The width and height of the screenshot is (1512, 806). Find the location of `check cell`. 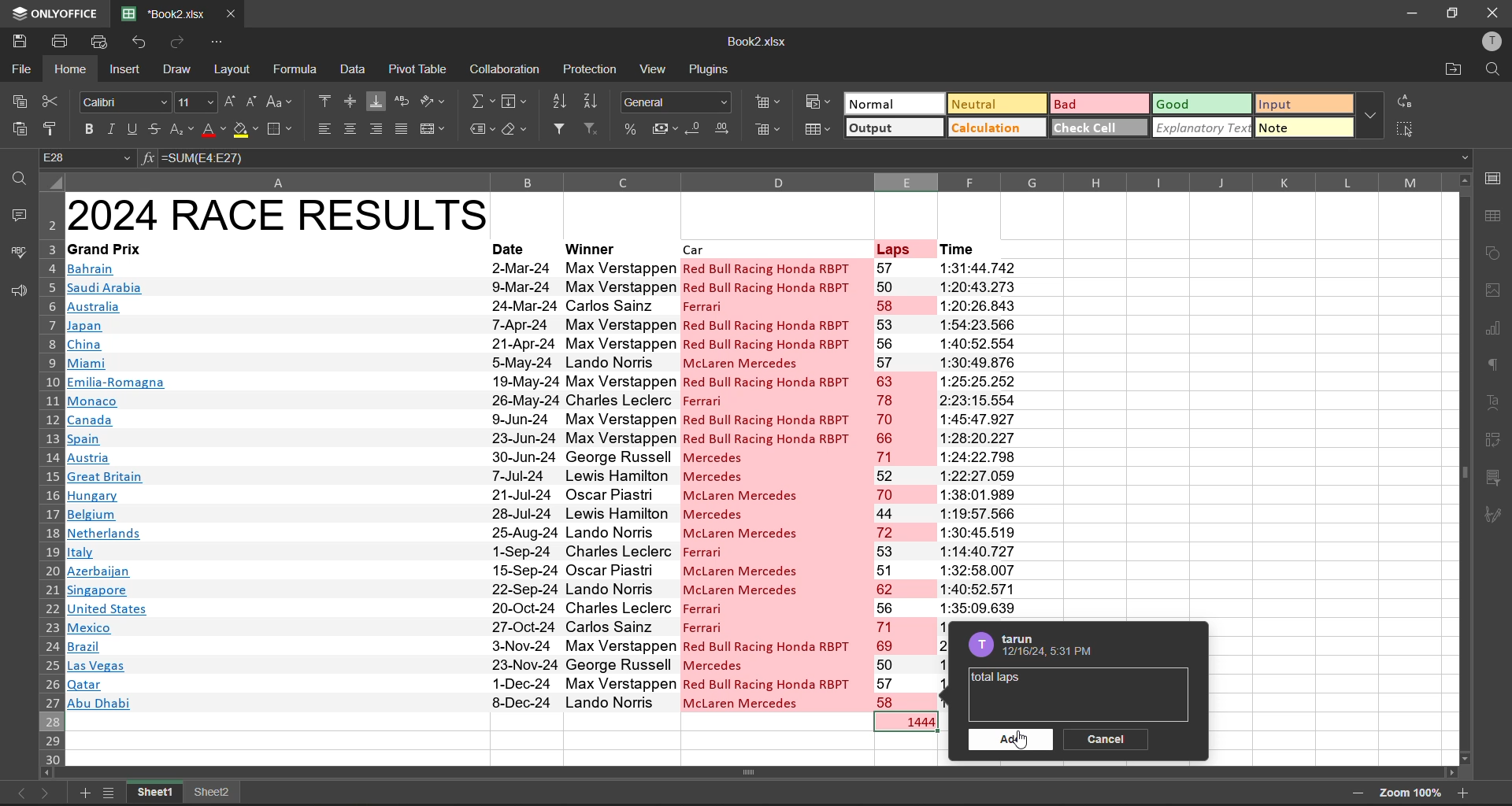

check cell is located at coordinates (1100, 128).